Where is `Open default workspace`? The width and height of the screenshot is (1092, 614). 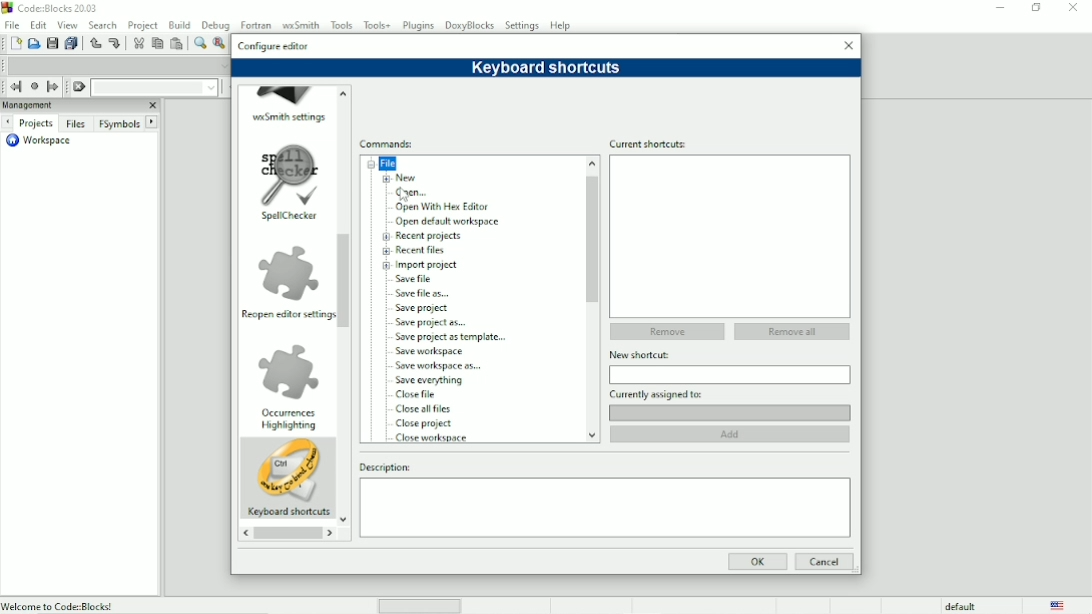 Open default workspace is located at coordinates (451, 222).